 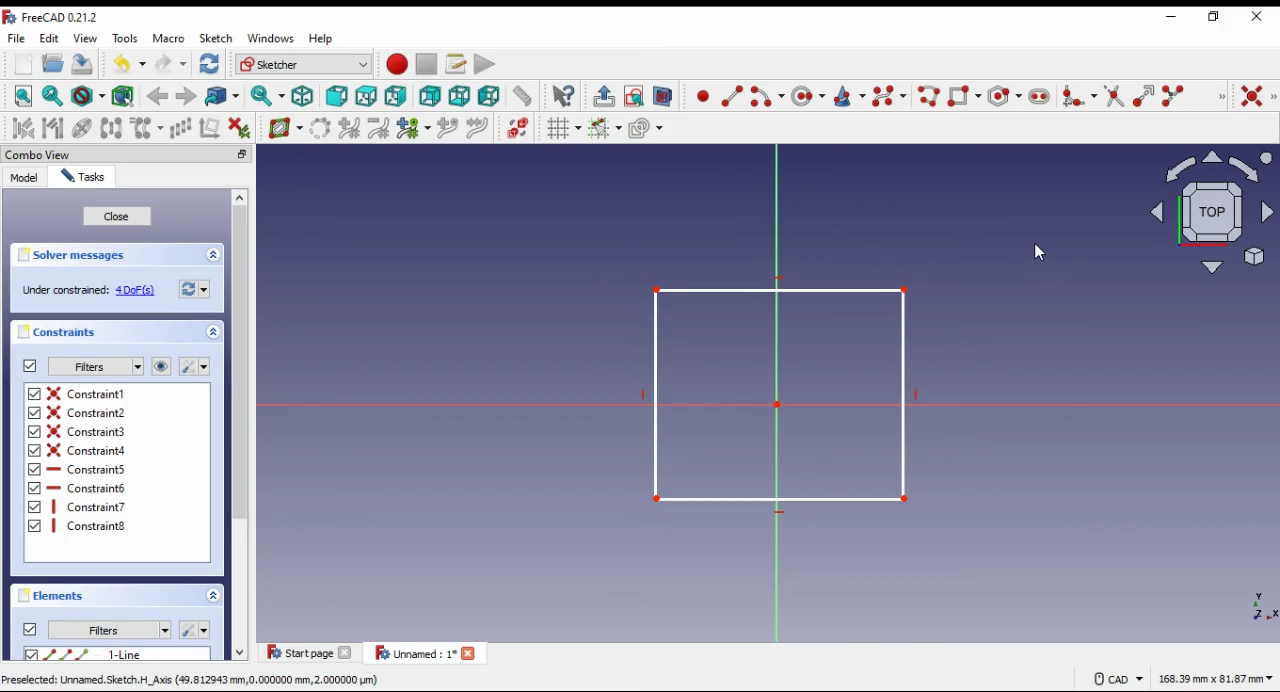 I want to click on what's this, so click(x=563, y=96).